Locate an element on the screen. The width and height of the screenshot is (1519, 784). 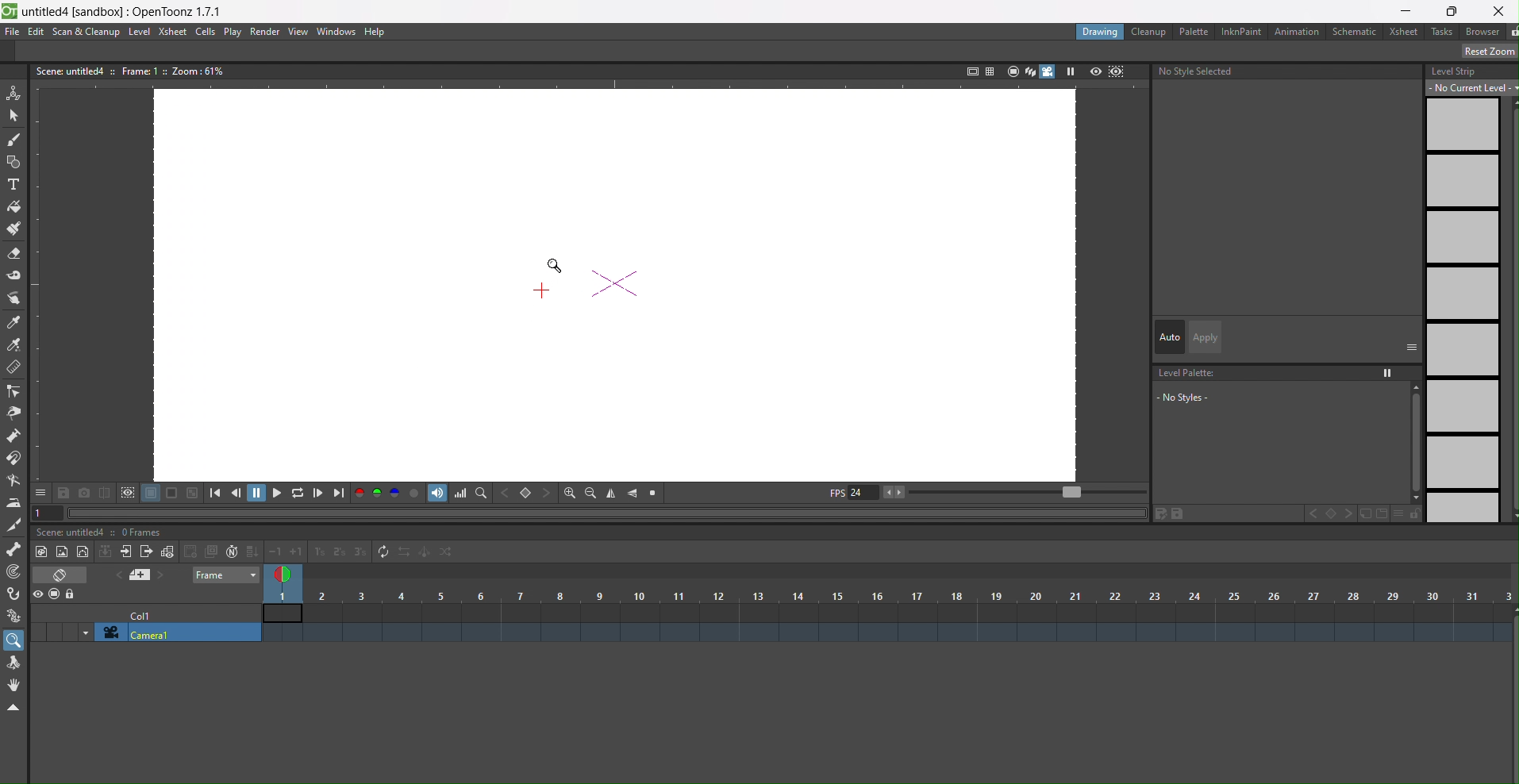
new toonz level is located at coordinates (83, 553).